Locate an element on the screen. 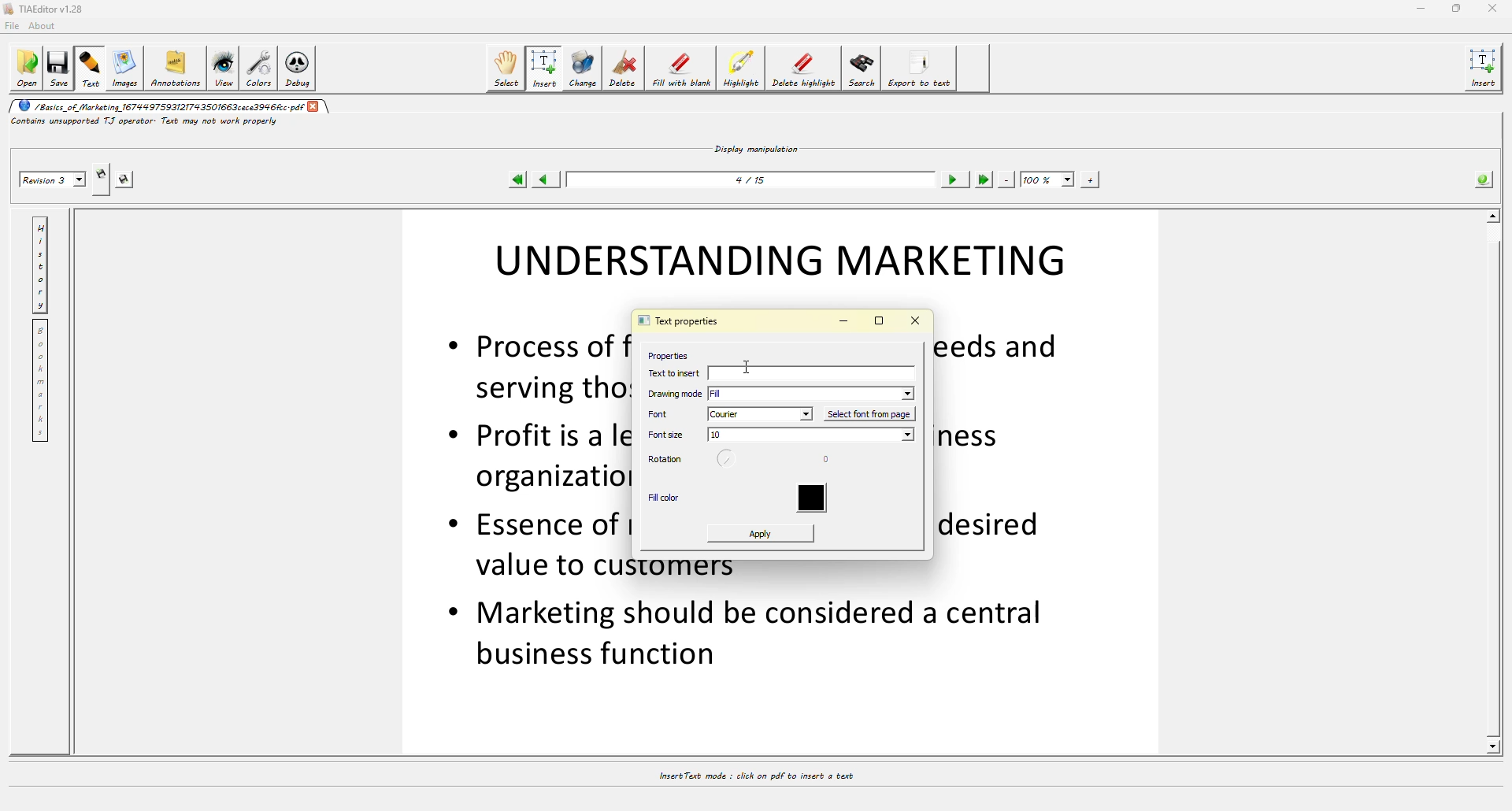  close is located at coordinates (1492, 8).